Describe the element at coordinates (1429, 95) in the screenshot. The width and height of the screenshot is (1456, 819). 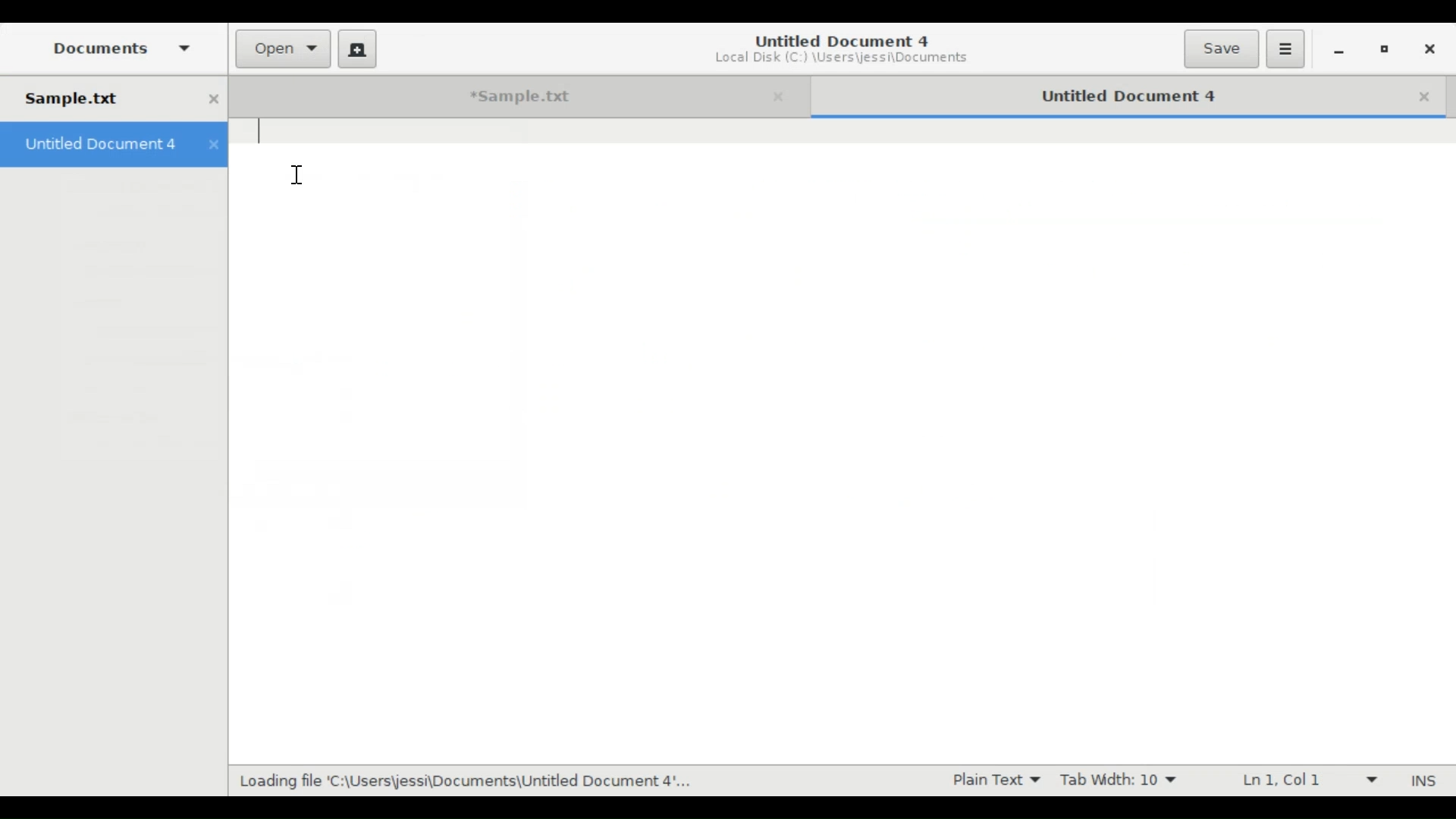
I see `Close` at that location.